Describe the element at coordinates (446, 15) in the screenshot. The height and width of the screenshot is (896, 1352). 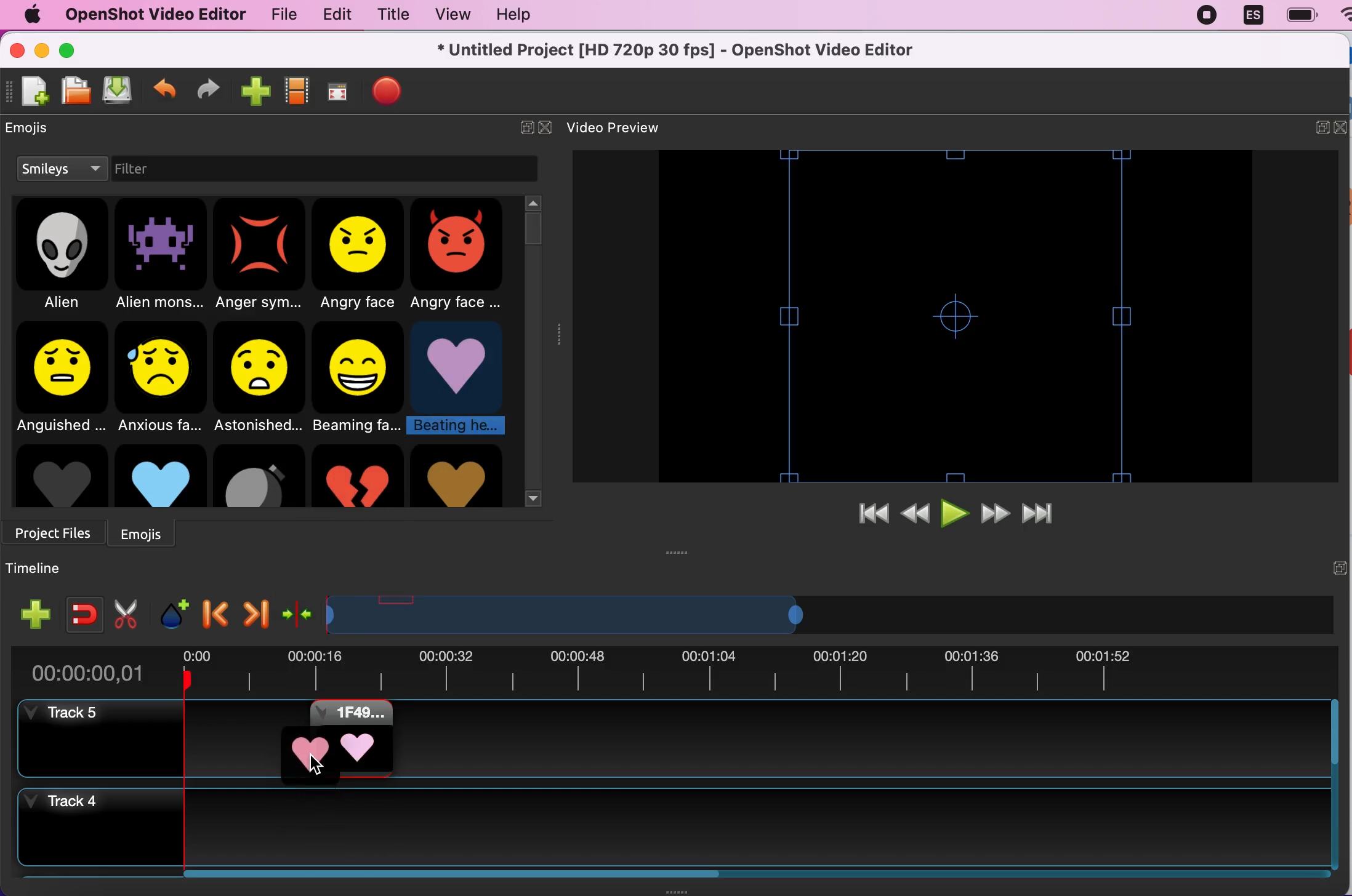
I see `view` at that location.